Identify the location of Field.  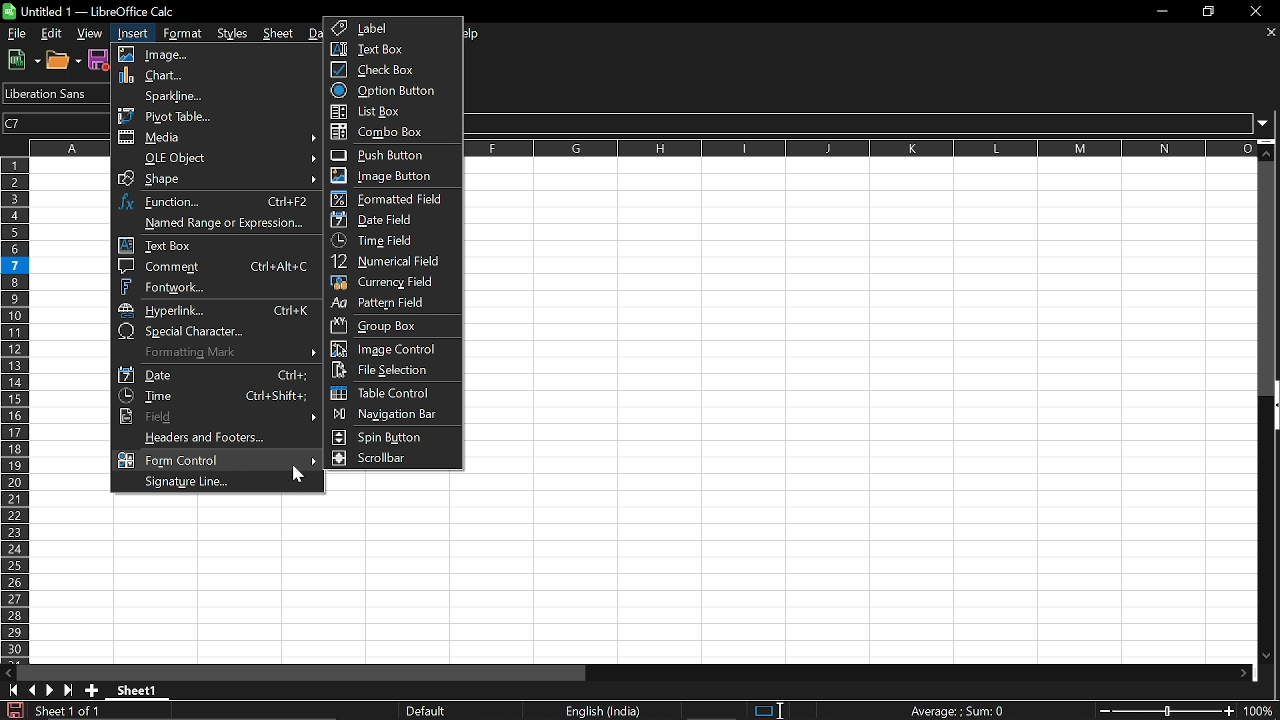
(215, 417).